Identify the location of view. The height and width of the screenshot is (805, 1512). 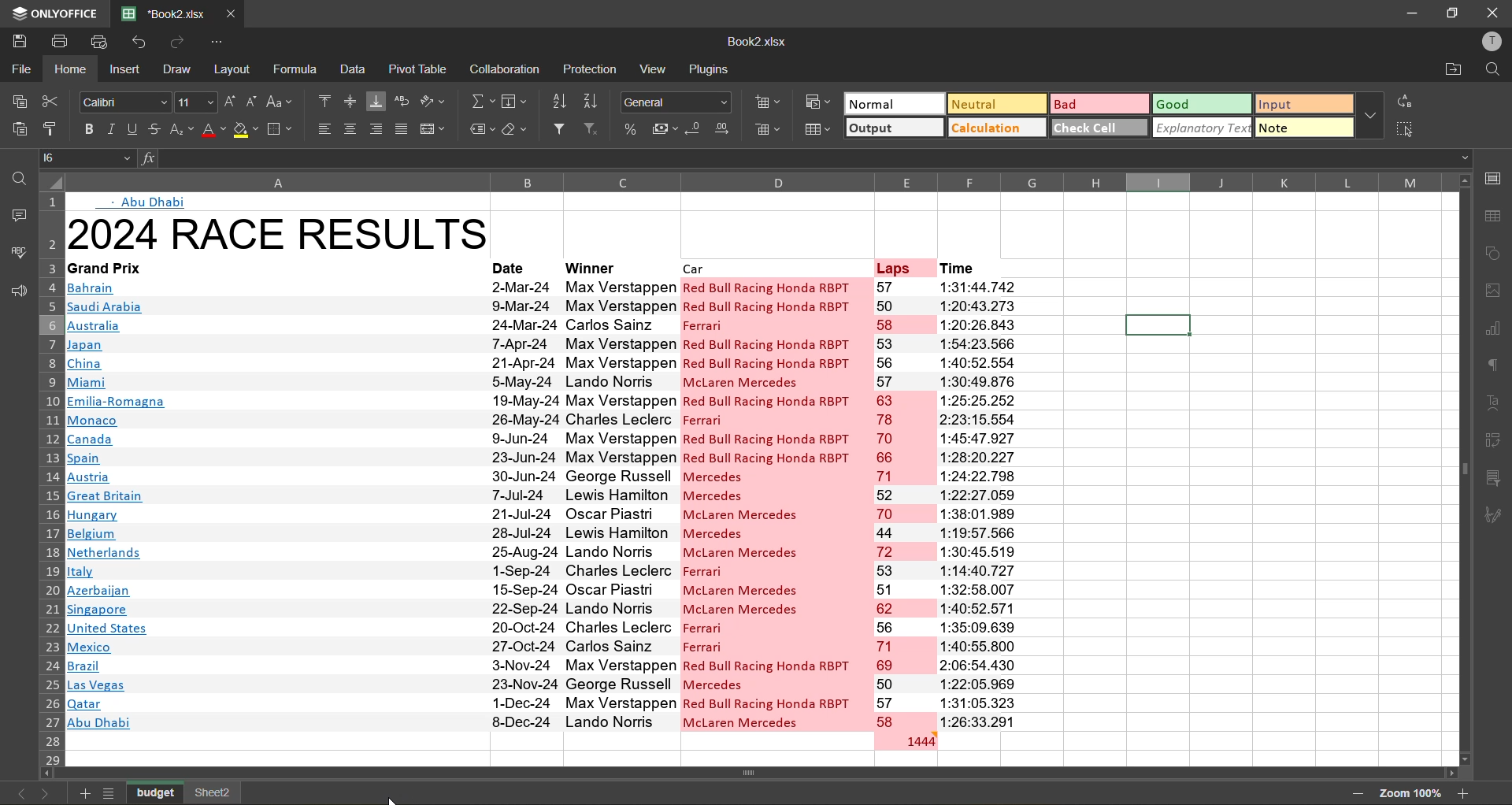
(652, 71).